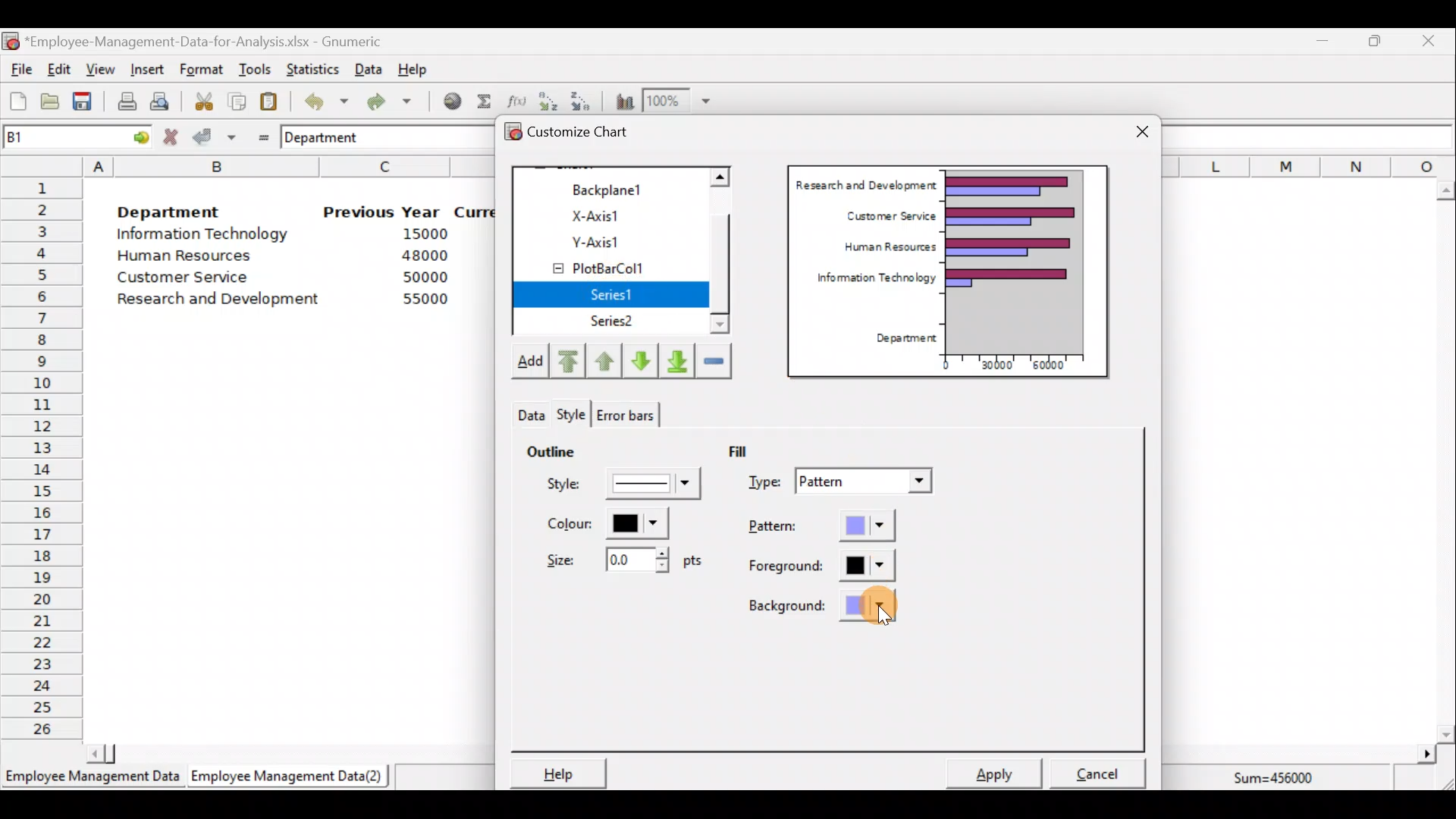 The image size is (1456, 819). Describe the element at coordinates (556, 773) in the screenshot. I see `Help` at that location.